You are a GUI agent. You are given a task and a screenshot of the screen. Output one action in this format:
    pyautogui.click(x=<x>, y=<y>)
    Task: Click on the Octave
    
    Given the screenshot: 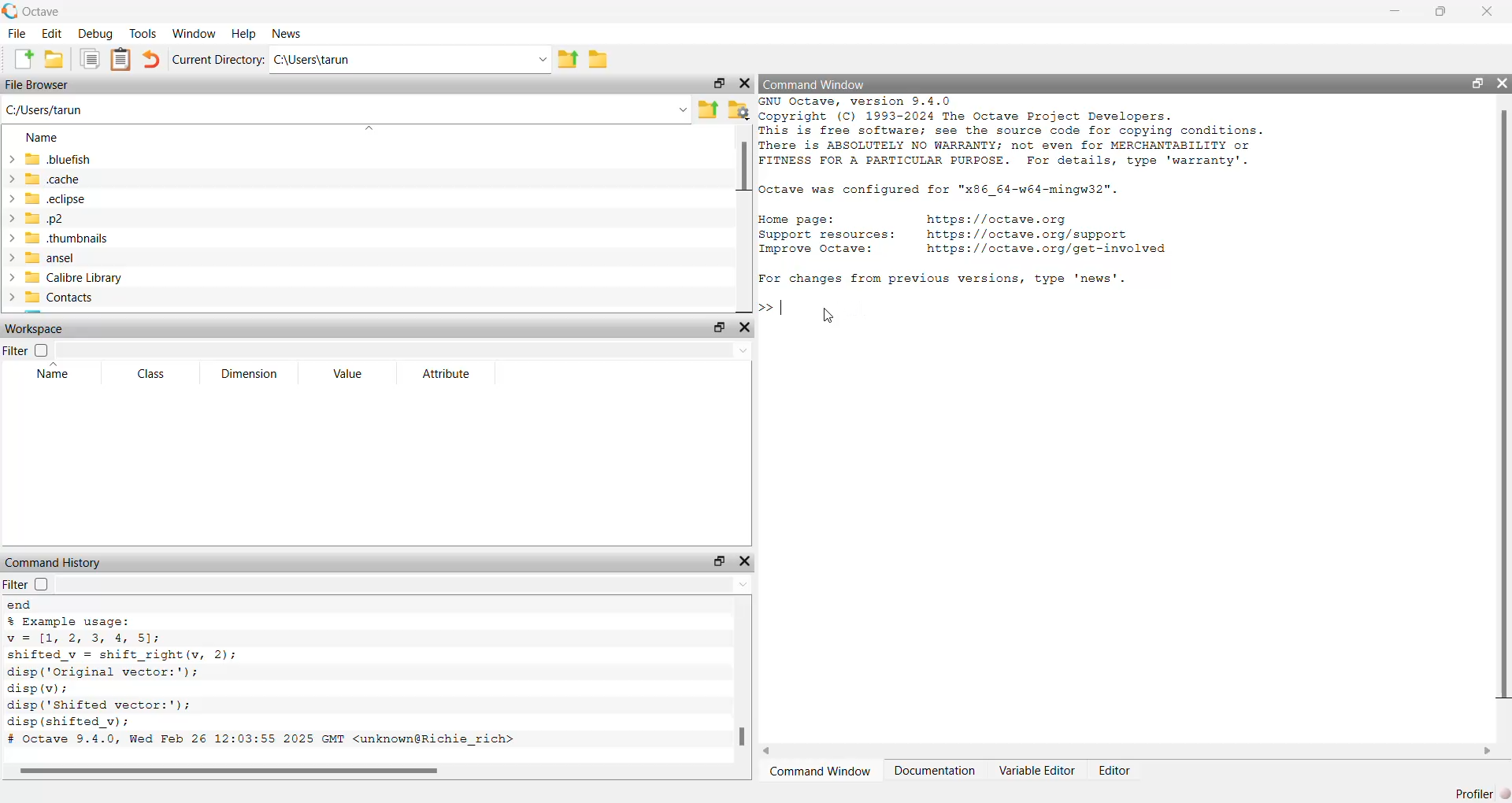 What is the action you would take?
    pyautogui.click(x=66, y=9)
    